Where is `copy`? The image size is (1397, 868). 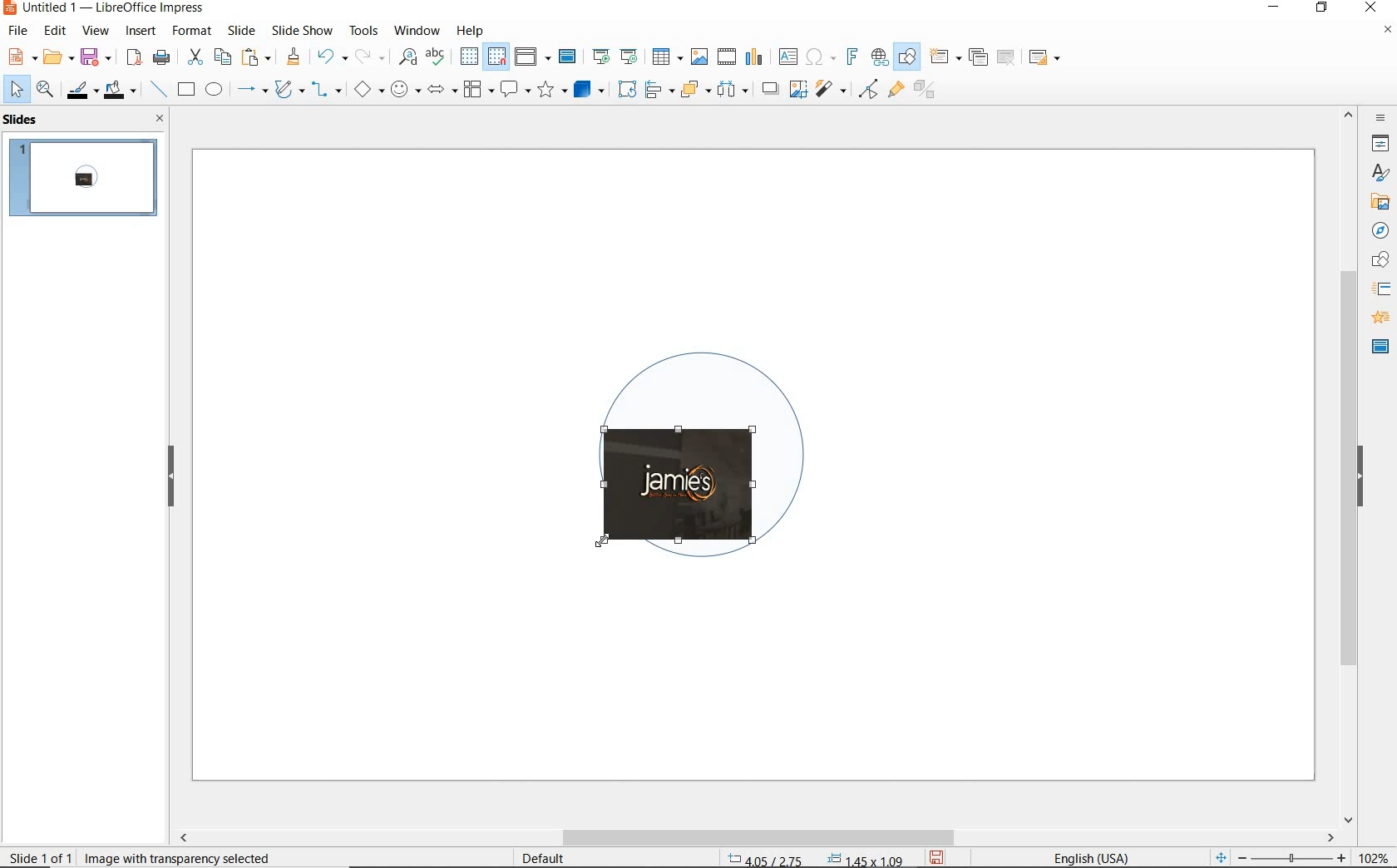 copy is located at coordinates (222, 57).